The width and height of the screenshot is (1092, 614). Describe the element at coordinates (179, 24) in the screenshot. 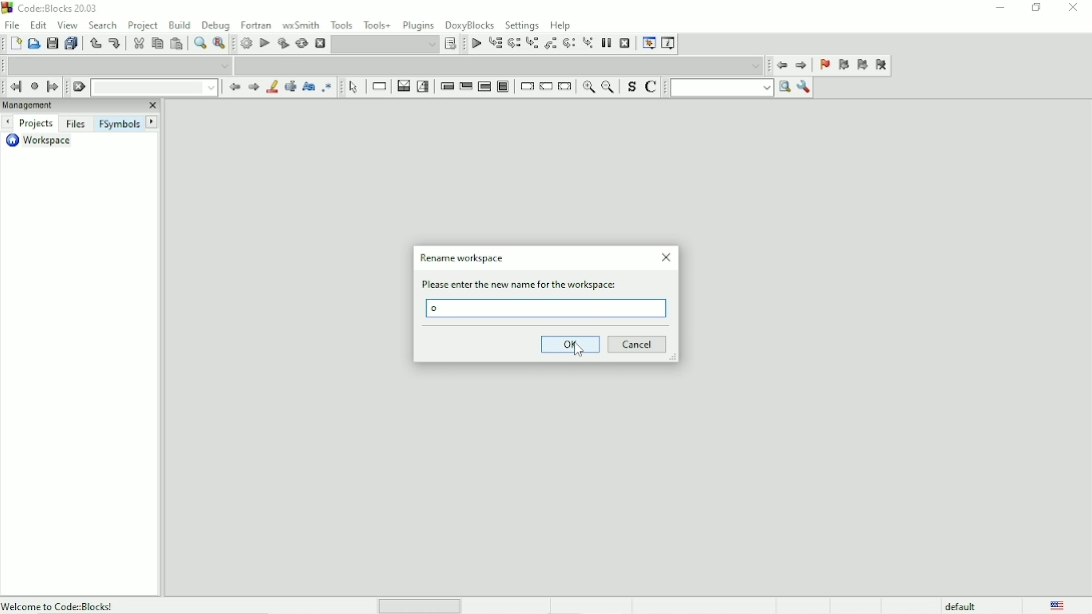

I see `Build` at that location.